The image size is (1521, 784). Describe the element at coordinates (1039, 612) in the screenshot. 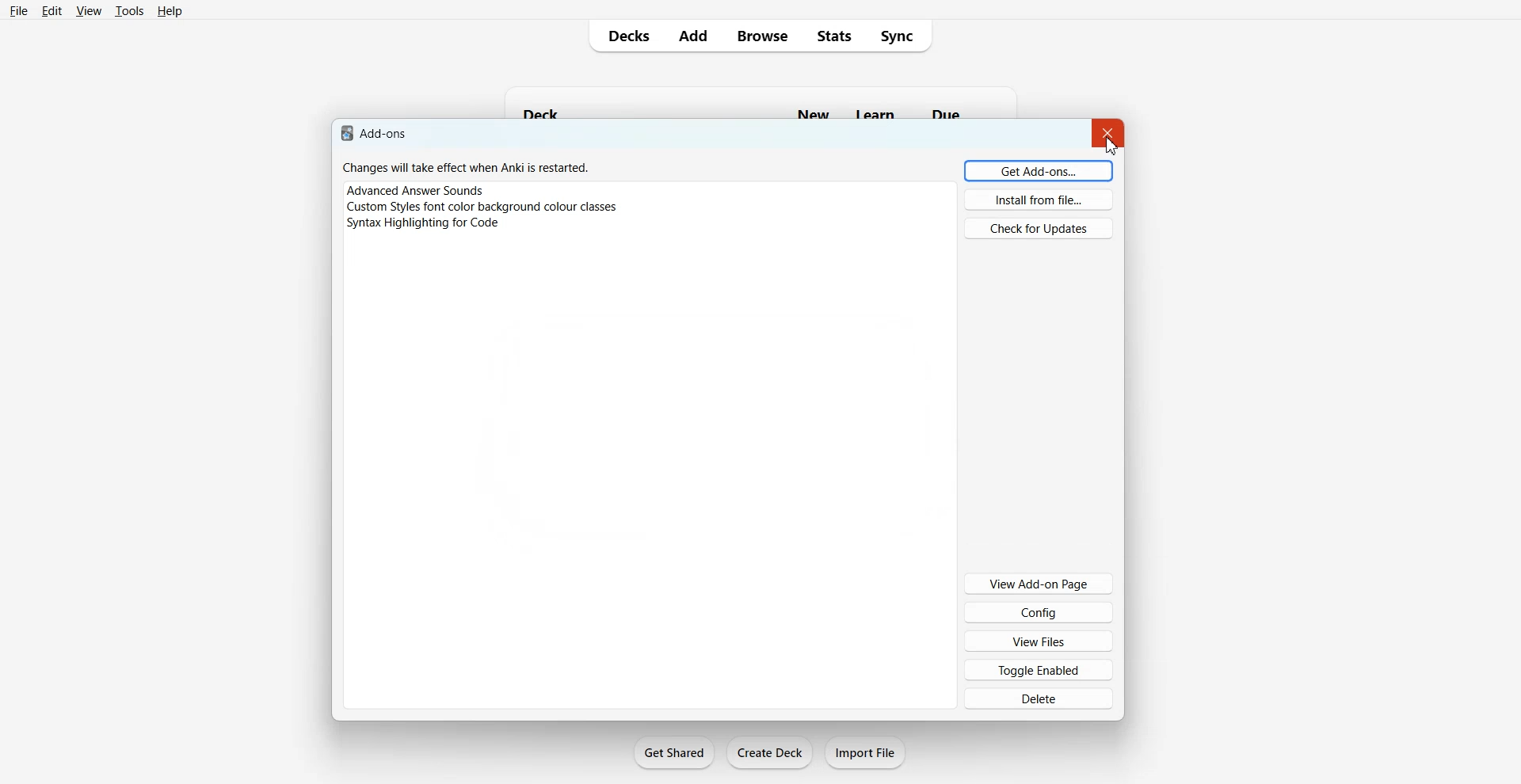

I see `Config` at that location.